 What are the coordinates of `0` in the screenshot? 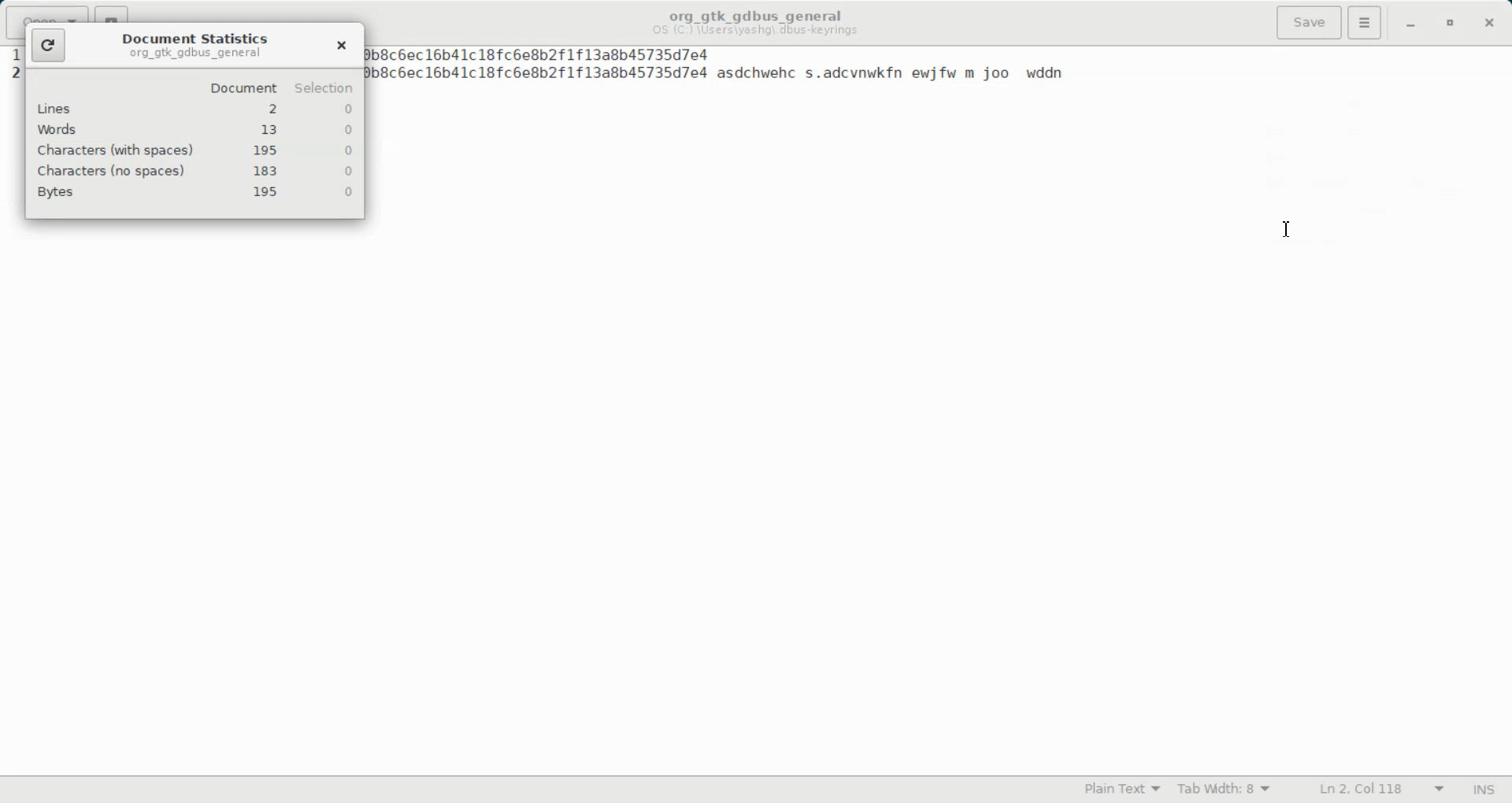 It's located at (347, 192).